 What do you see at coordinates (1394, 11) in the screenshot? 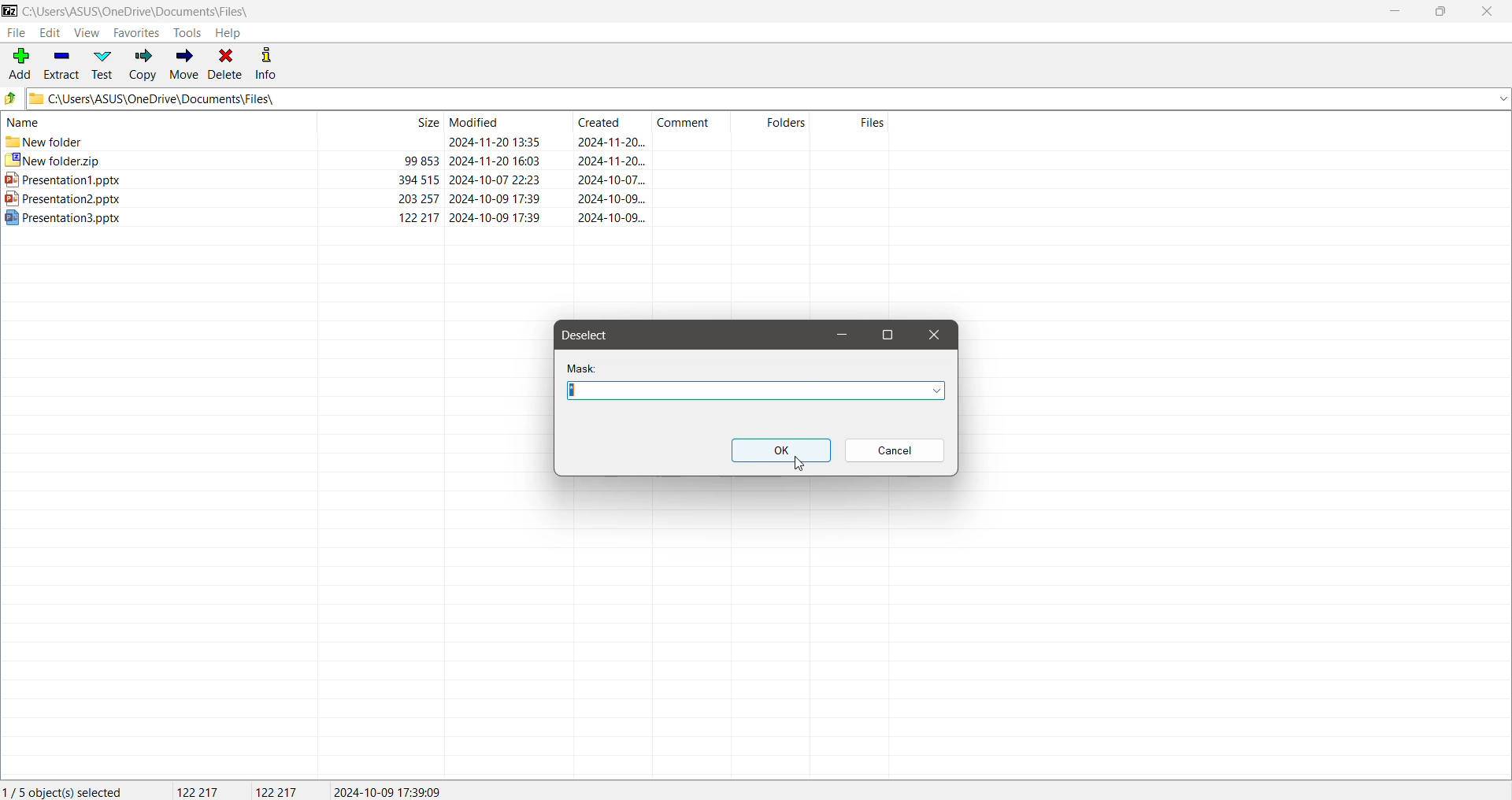
I see `Minimize` at bounding box center [1394, 11].